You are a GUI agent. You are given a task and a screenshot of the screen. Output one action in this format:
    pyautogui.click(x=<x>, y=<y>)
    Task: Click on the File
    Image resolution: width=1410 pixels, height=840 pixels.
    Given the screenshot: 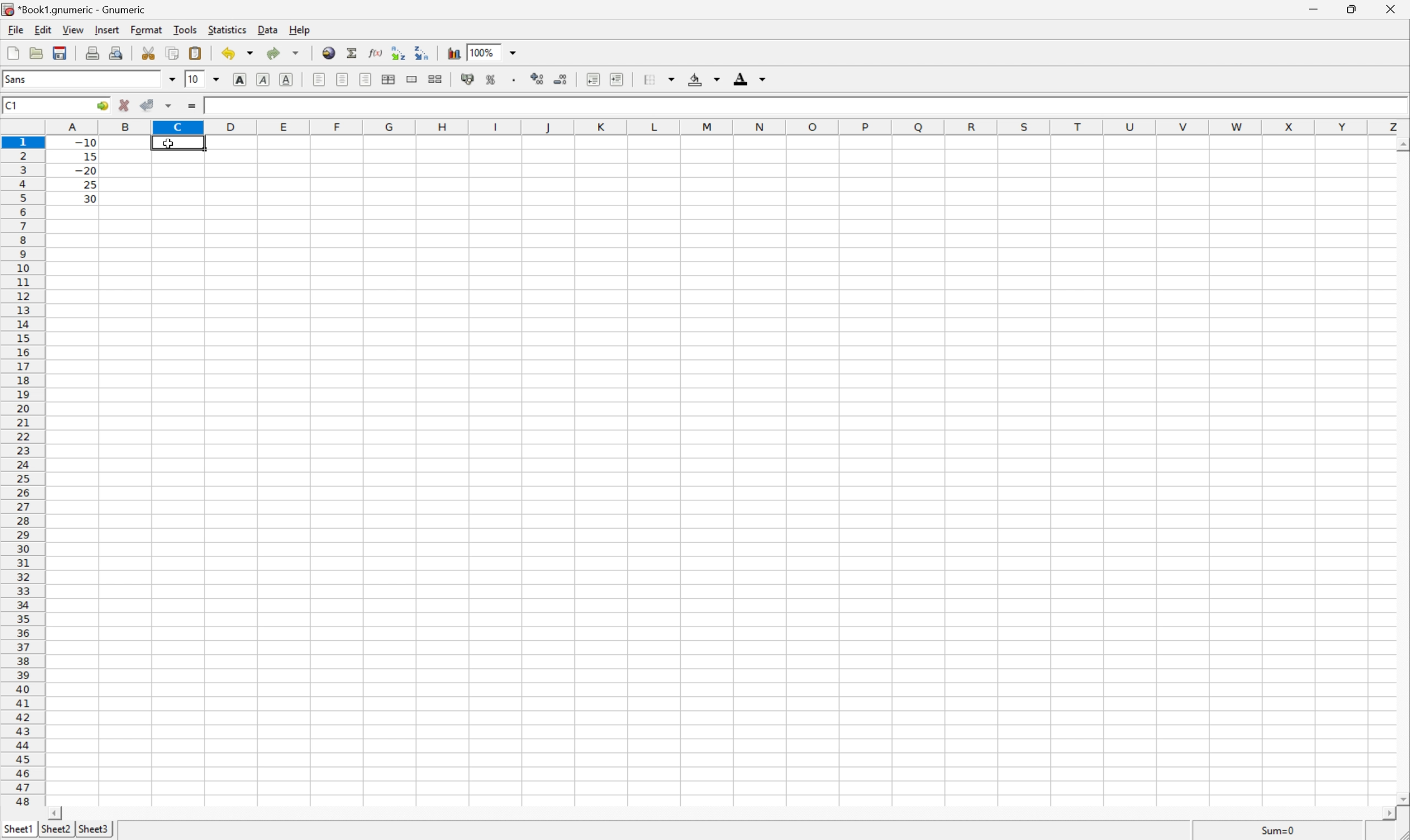 What is the action you would take?
    pyautogui.click(x=14, y=30)
    